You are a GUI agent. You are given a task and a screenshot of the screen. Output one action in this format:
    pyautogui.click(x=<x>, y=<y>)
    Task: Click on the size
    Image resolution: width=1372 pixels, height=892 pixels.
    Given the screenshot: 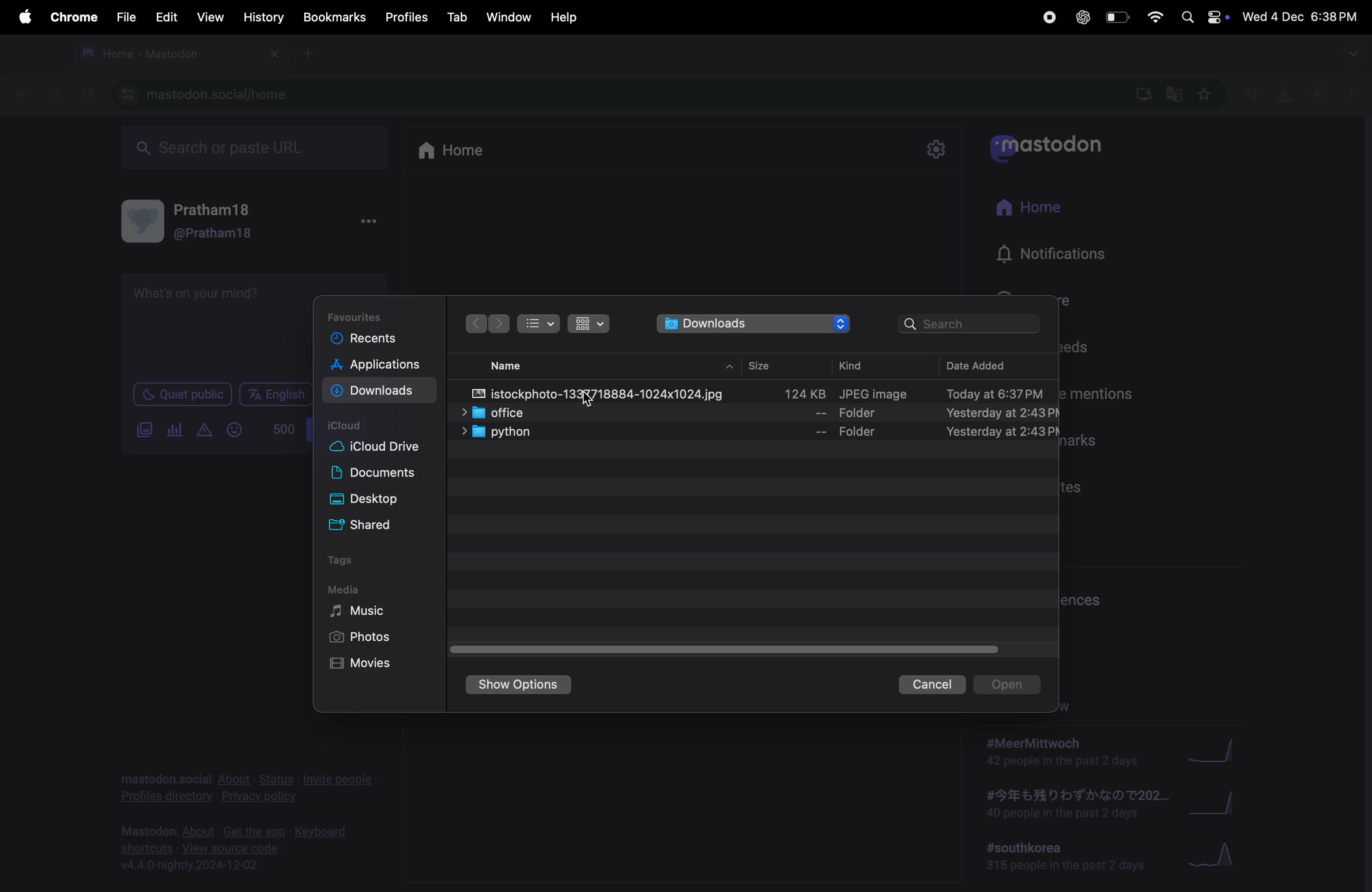 What is the action you would take?
    pyautogui.click(x=759, y=362)
    